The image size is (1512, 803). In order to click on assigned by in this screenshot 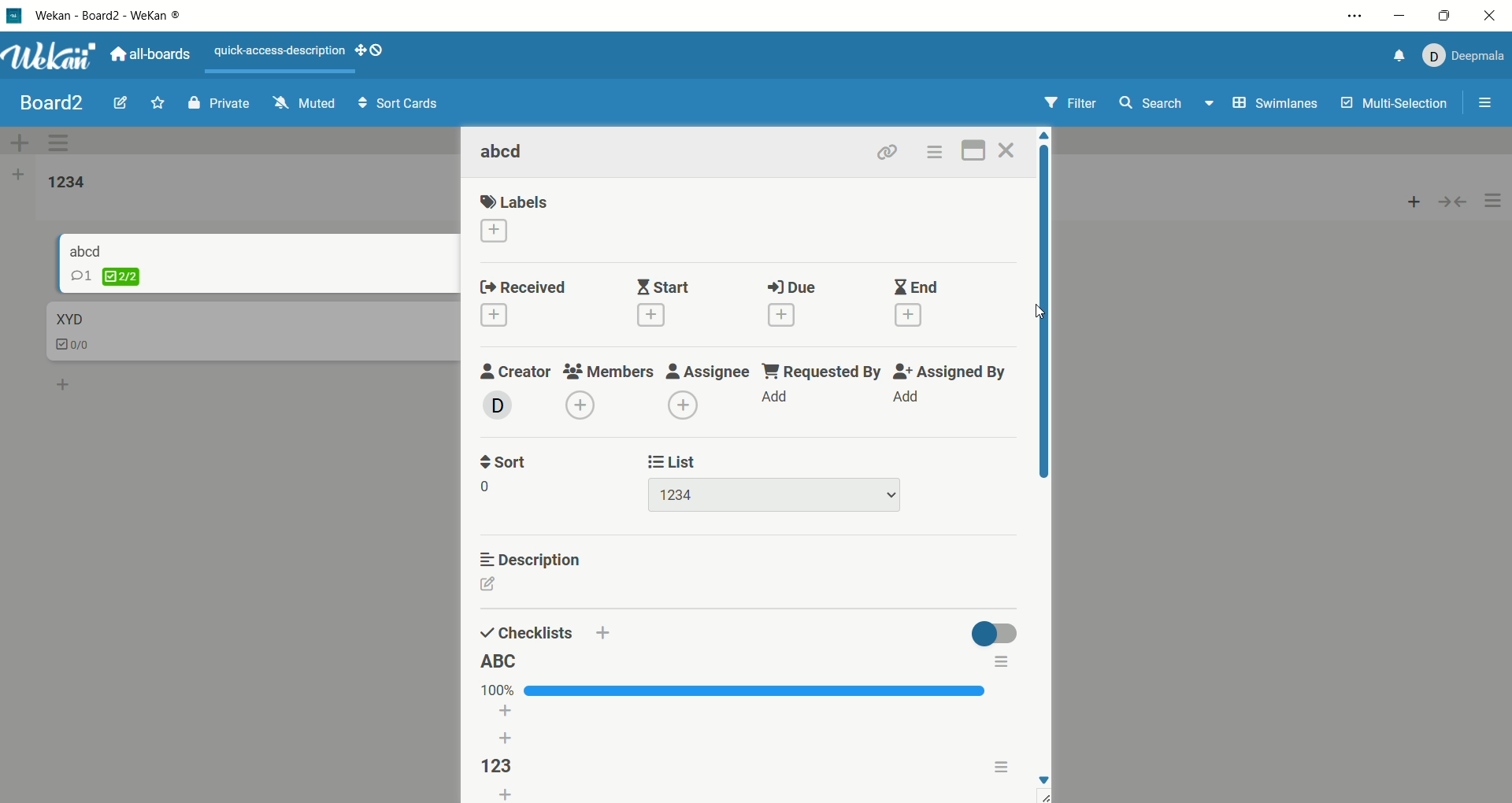, I will do `click(947, 372)`.